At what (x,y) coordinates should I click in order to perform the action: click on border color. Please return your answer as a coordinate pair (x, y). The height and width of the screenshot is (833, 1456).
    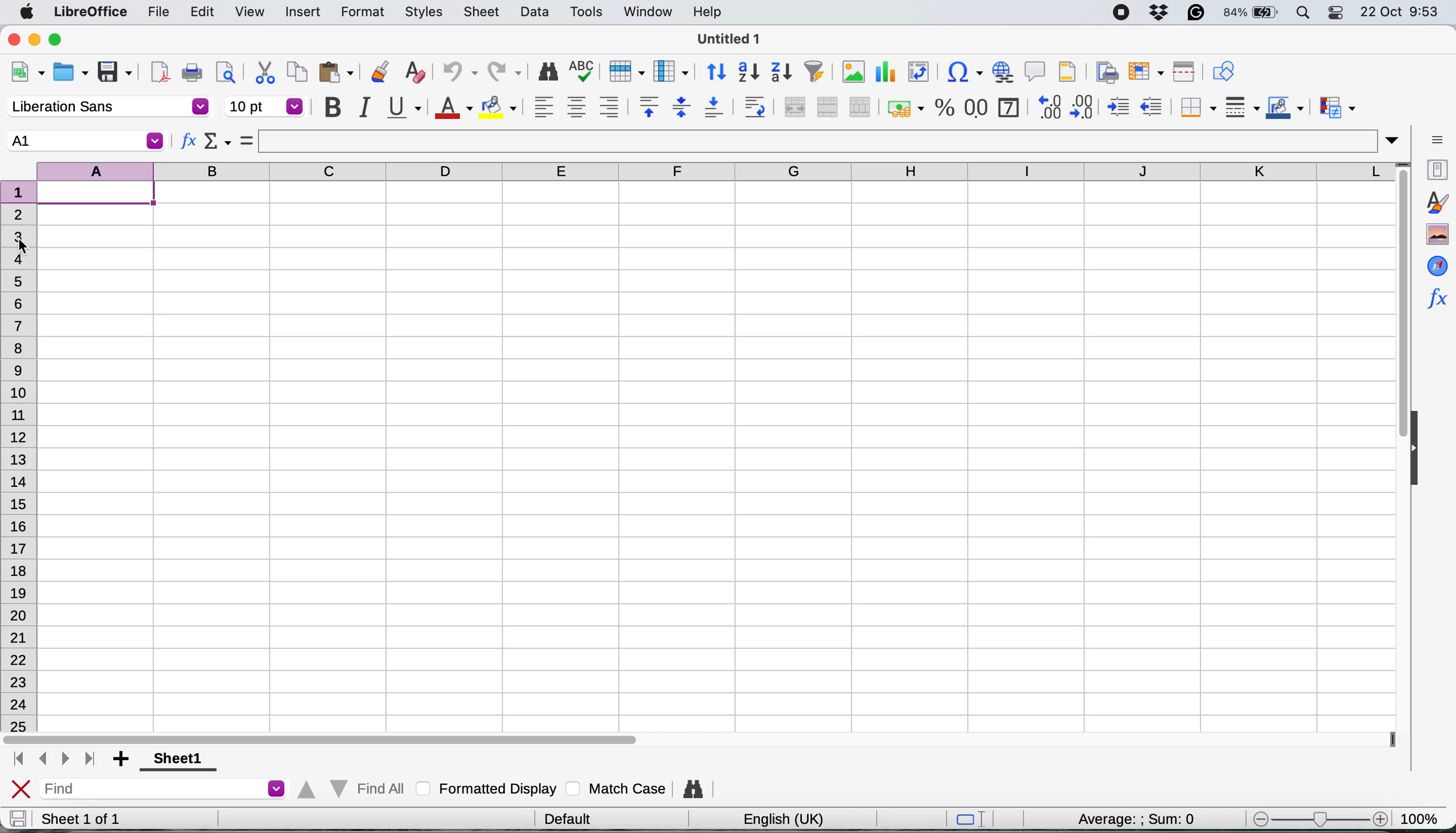
    Looking at the image, I should click on (1285, 109).